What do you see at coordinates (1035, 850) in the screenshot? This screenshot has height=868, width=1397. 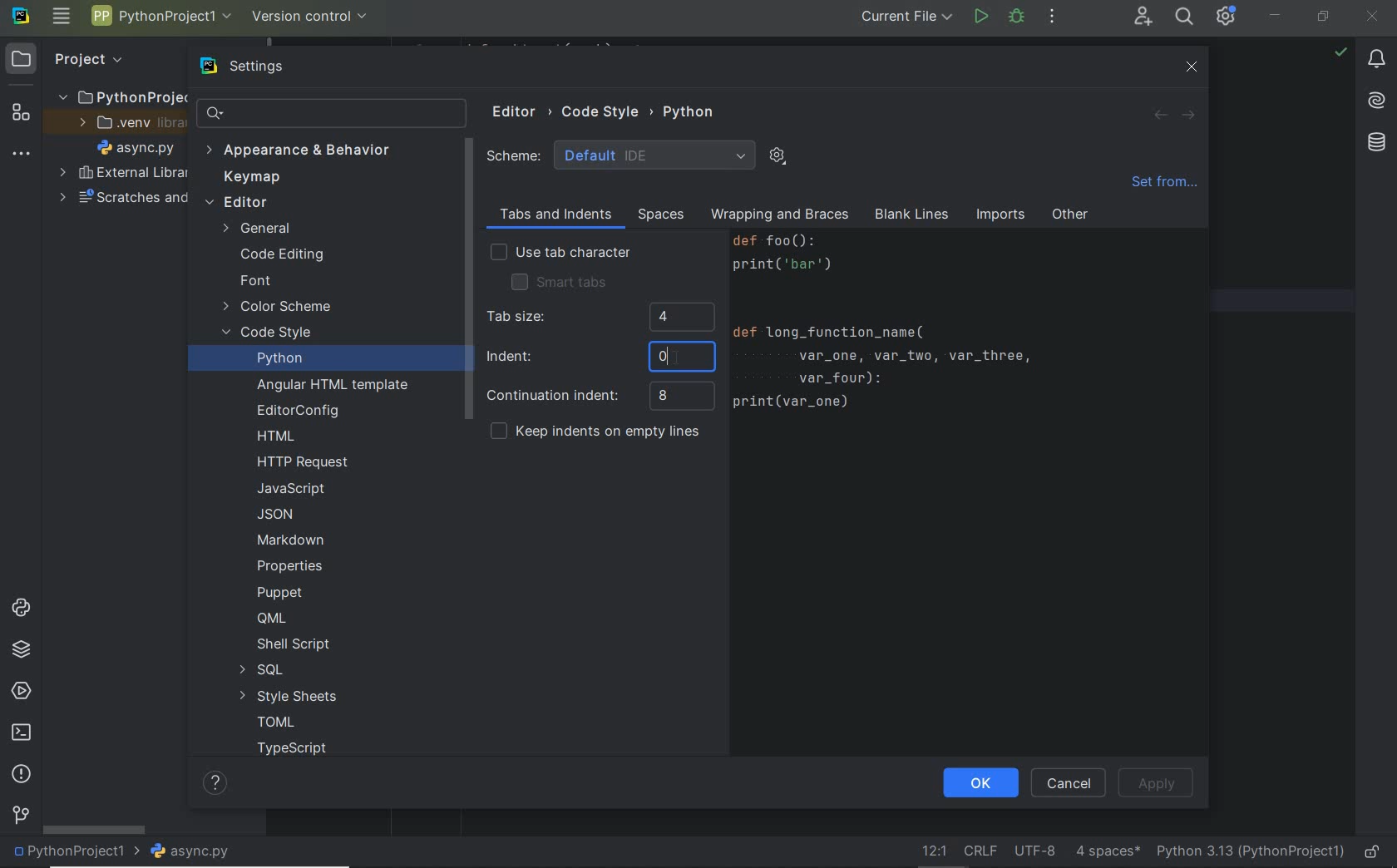 I see `file encoding` at bounding box center [1035, 850].